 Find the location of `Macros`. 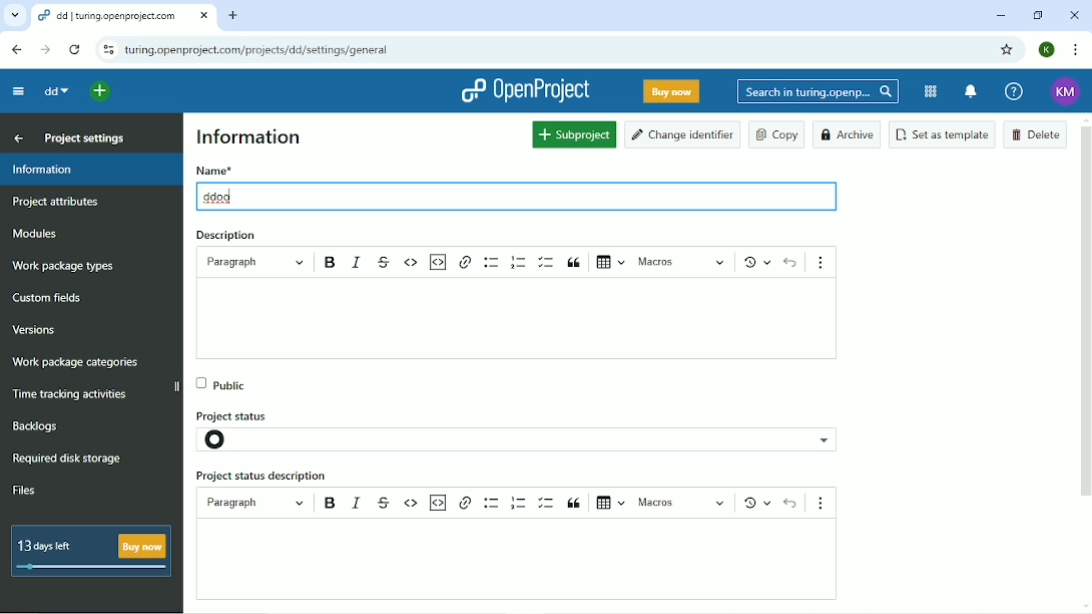

Macros is located at coordinates (680, 262).